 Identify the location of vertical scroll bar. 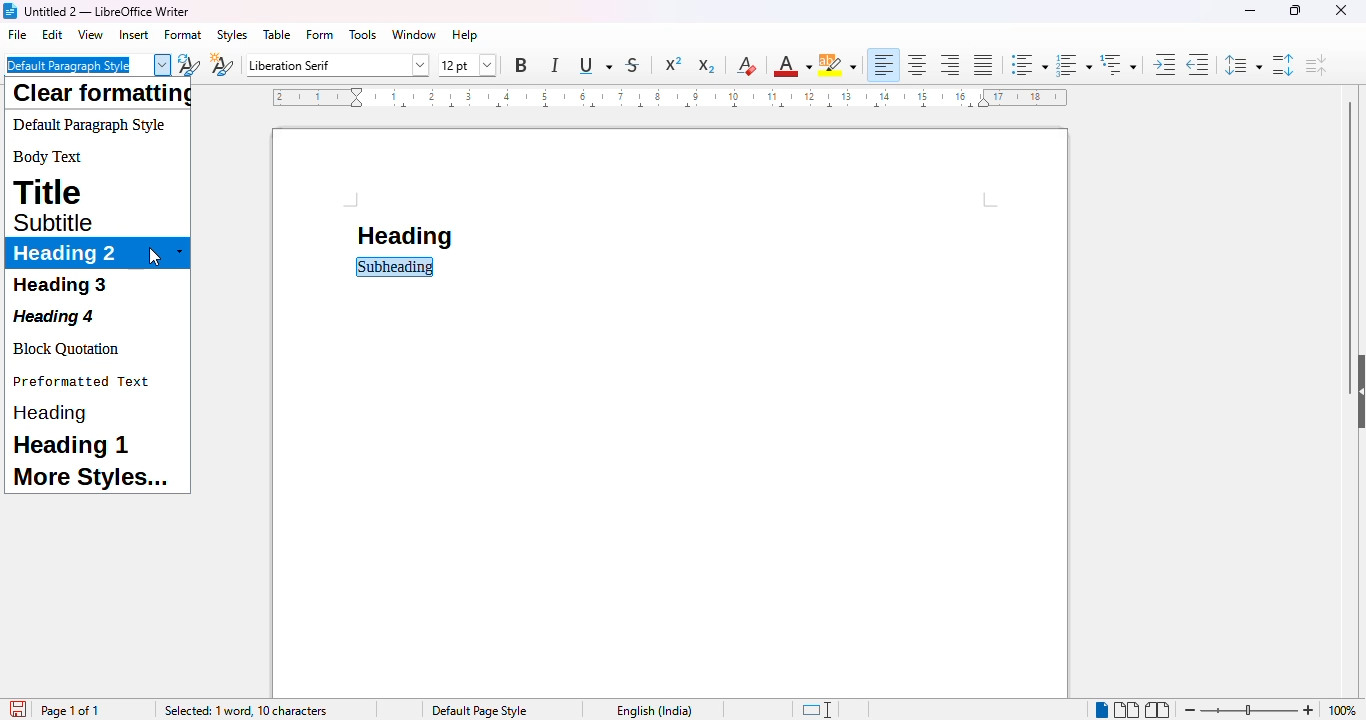
(1346, 222).